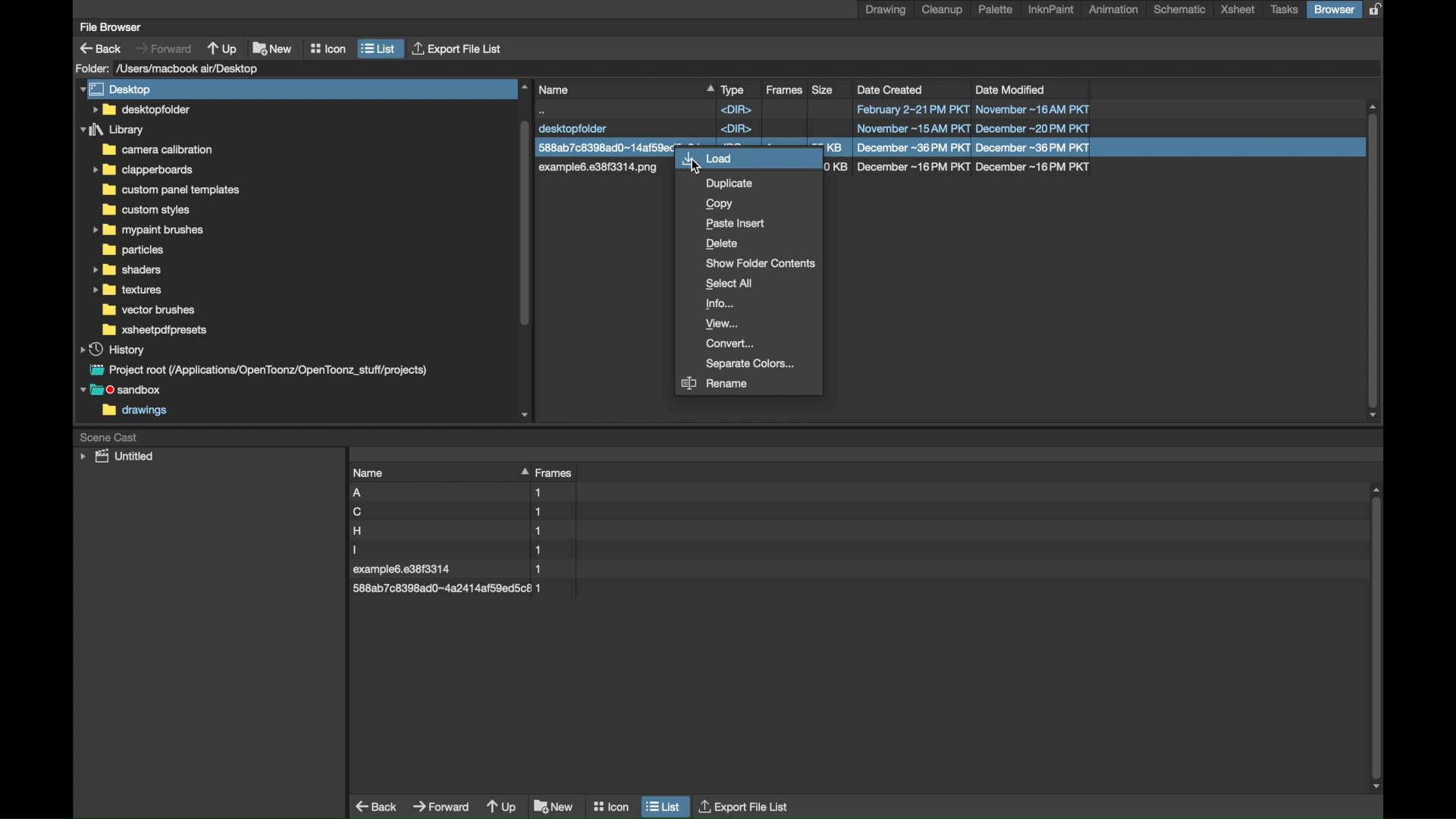 The image size is (1456, 819). Describe the element at coordinates (127, 269) in the screenshot. I see `folder` at that location.